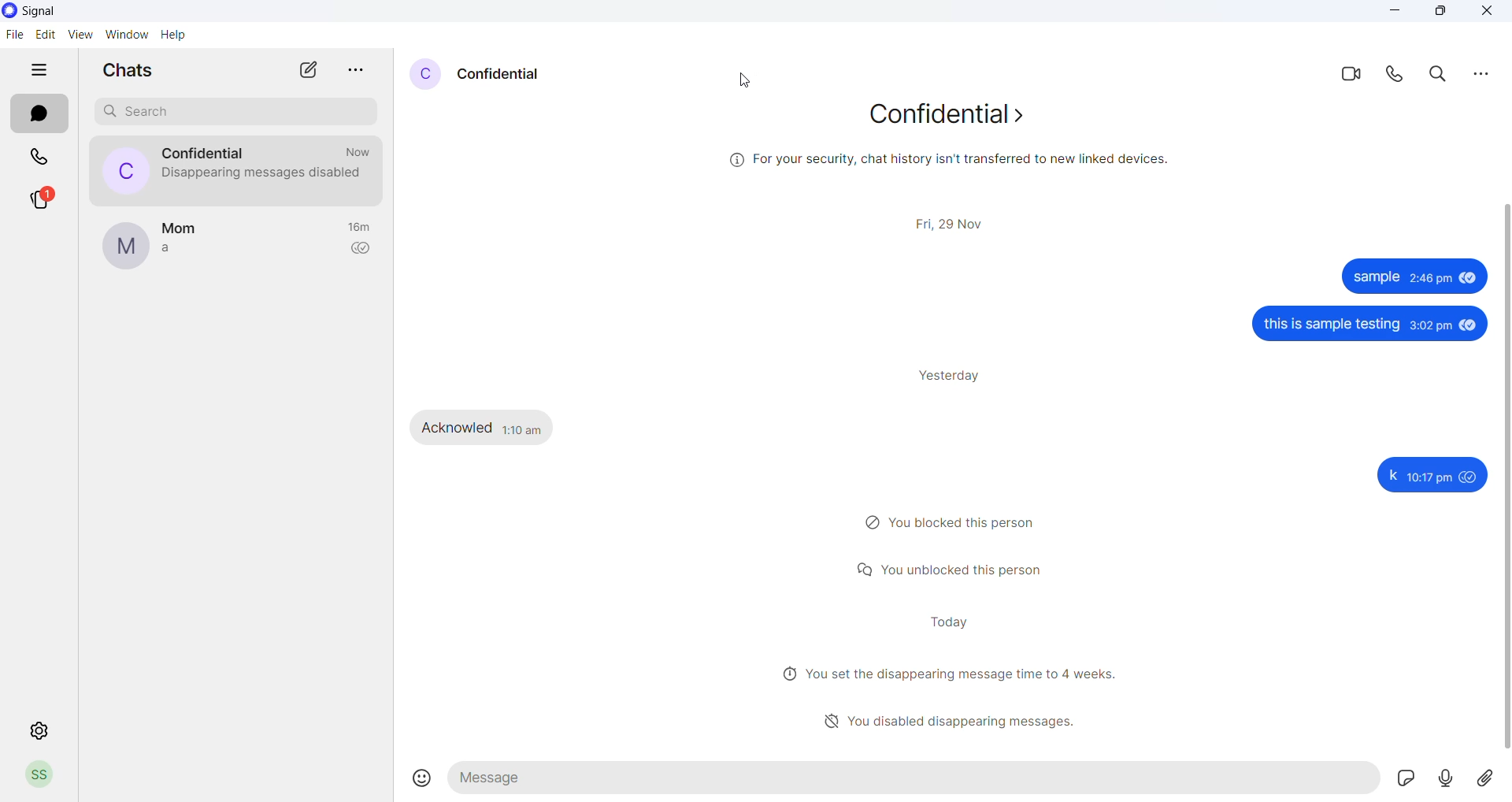 The image size is (1512, 802). Describe the element at coordinates (949, 158) in the screenshot. I see `` at that location.